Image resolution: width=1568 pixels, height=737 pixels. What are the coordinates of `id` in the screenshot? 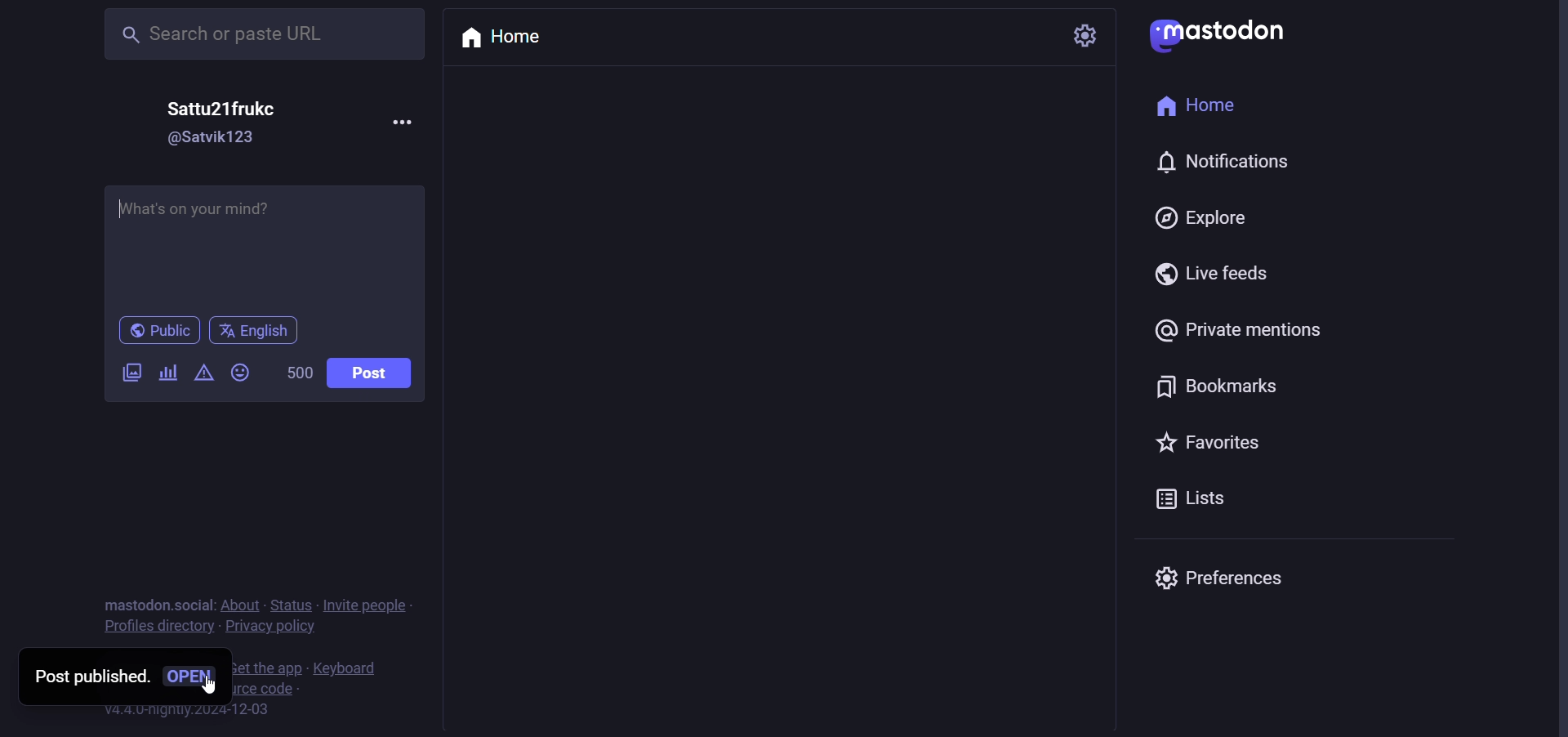 It's located at (212, 140).